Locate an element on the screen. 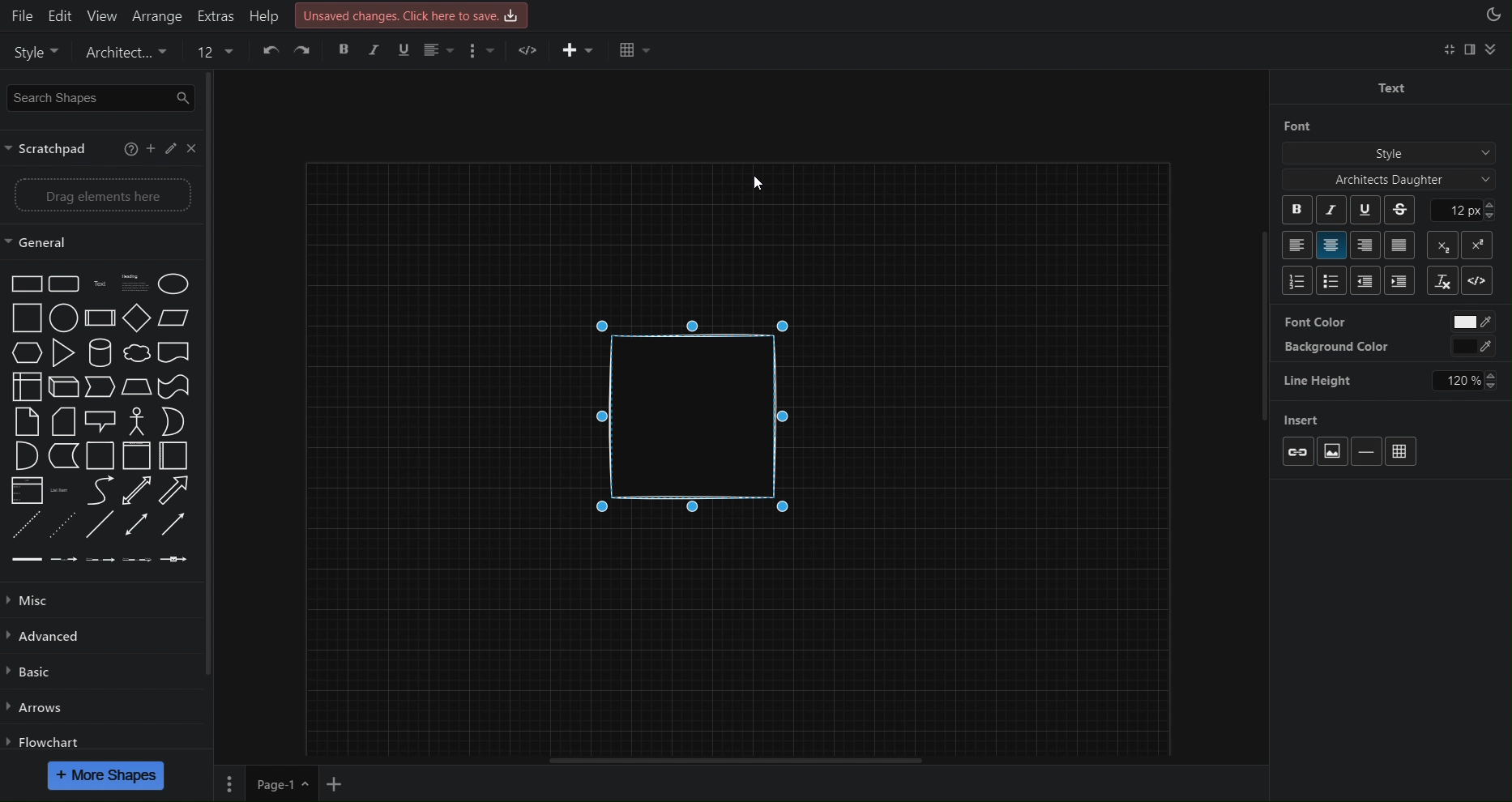 The height and width of the screenshot is (802, 1512). Centre is located at coordinates (1331, 245).